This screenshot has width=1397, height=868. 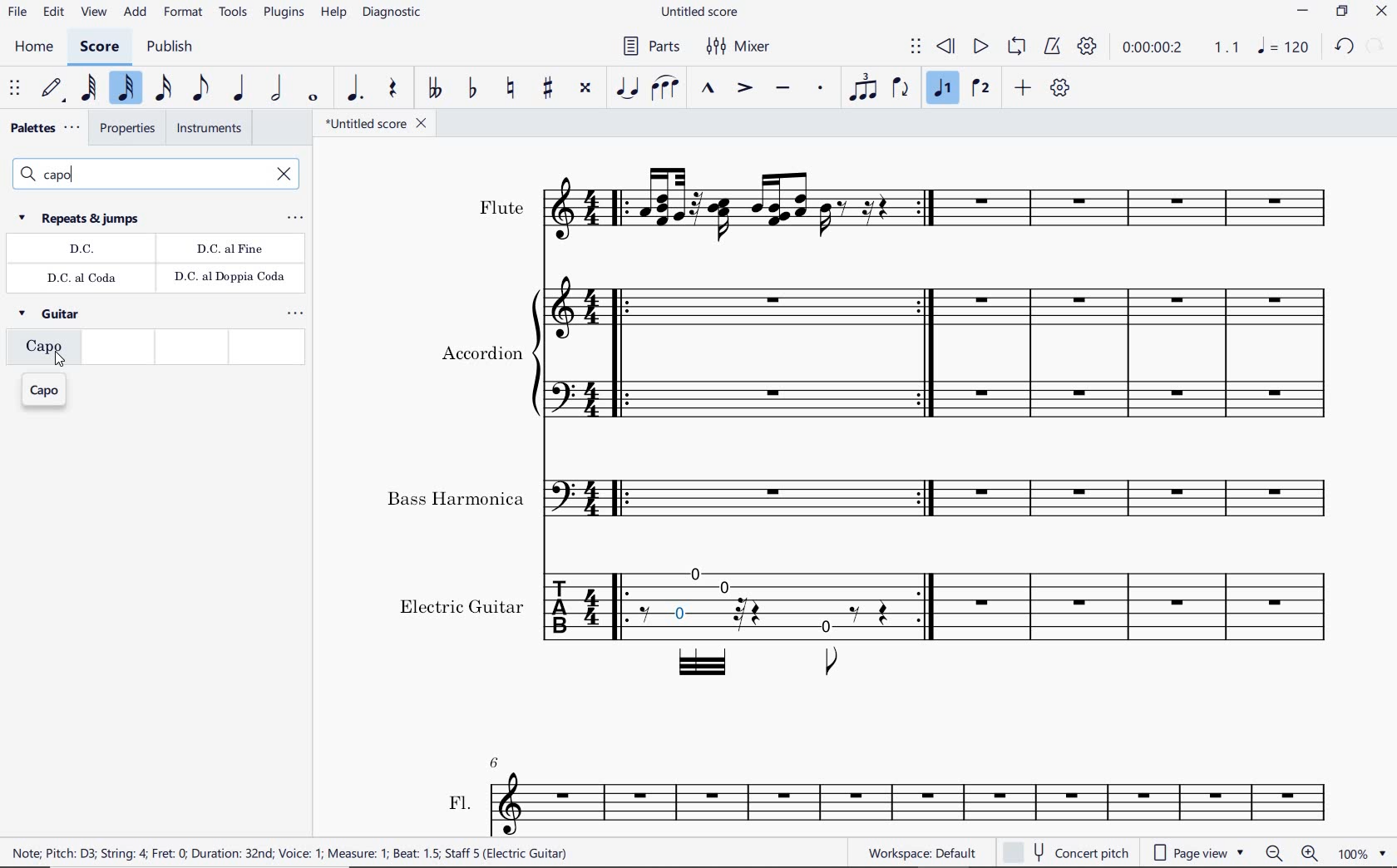 What do you see at coordinates (511, 88) in the screenshot?
I see `toggle natural` at bounding box center [511, 88].